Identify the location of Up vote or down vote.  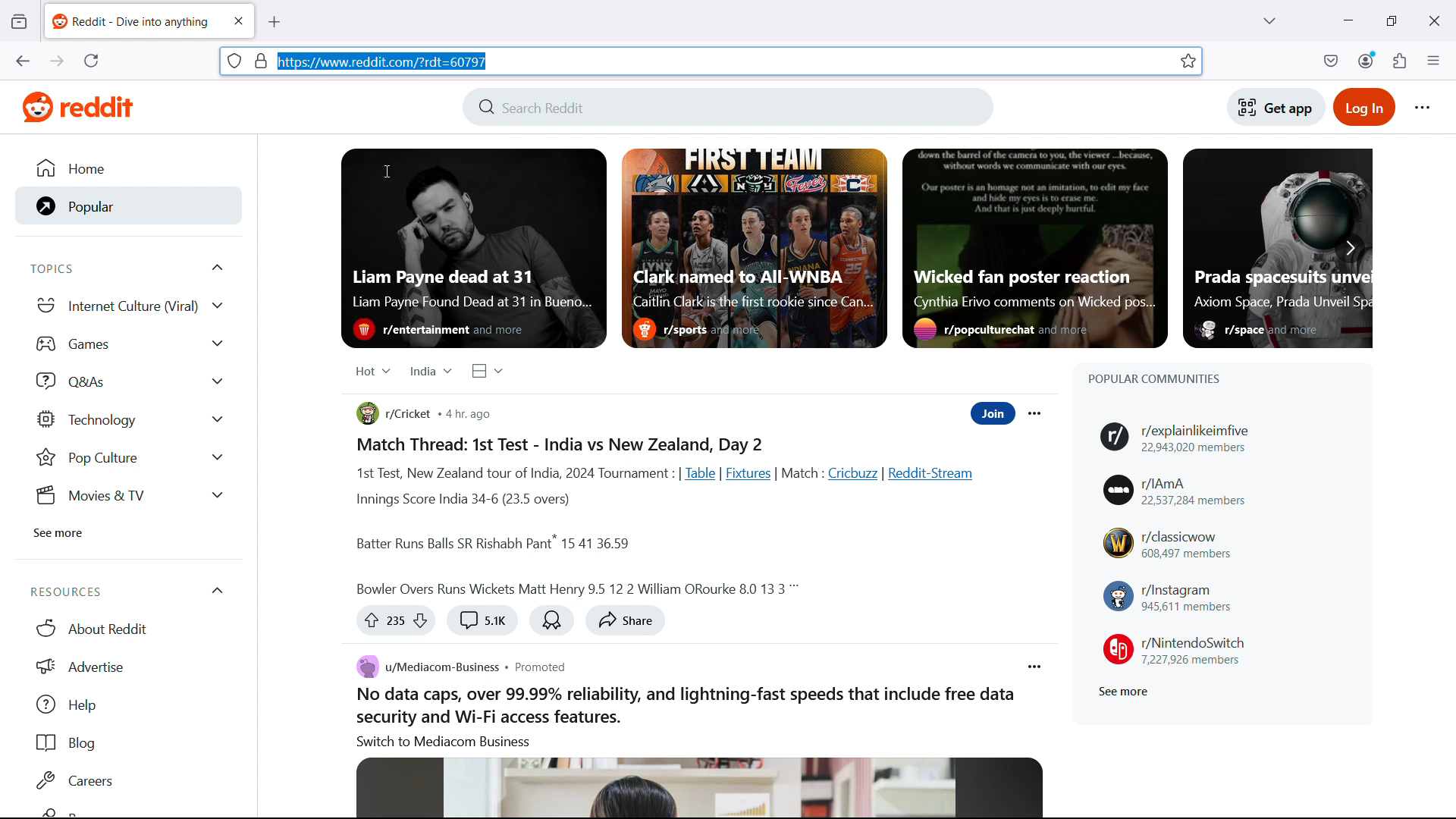
(395, 622).